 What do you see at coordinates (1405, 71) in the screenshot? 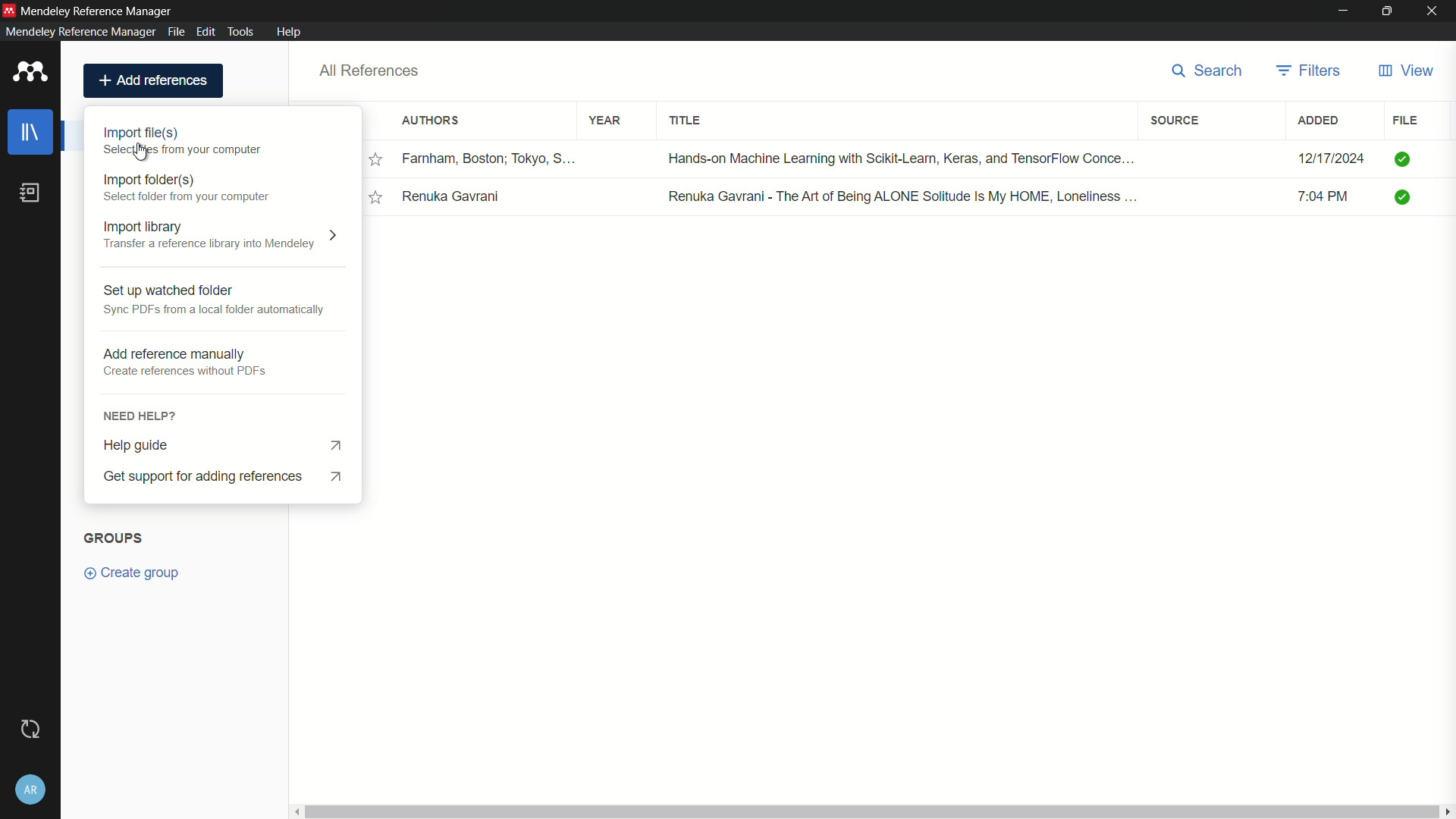
I see `view` at bounding box center [1405, 71].